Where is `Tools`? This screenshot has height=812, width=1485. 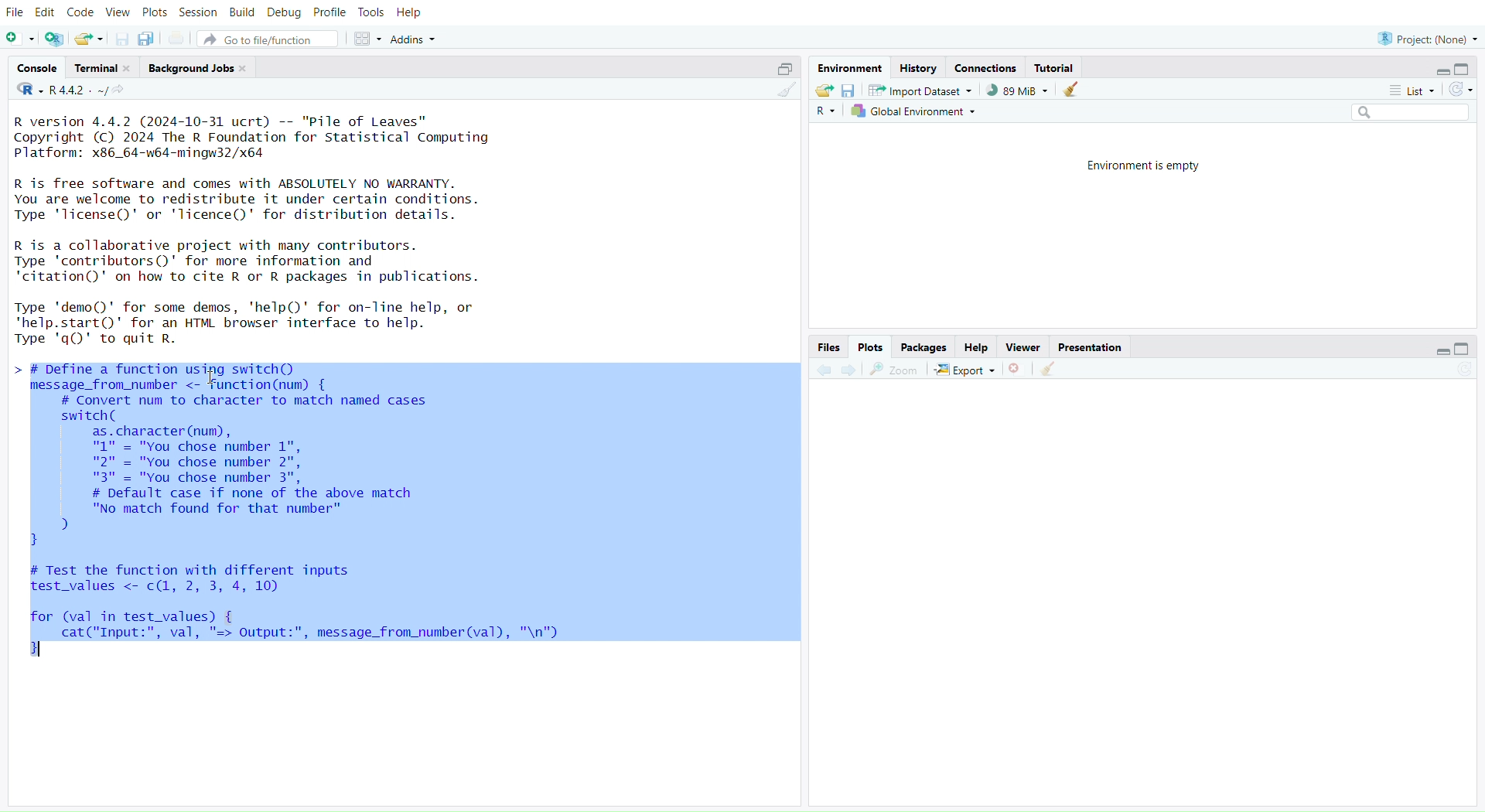
Tools is located at coordinates (375, 13).